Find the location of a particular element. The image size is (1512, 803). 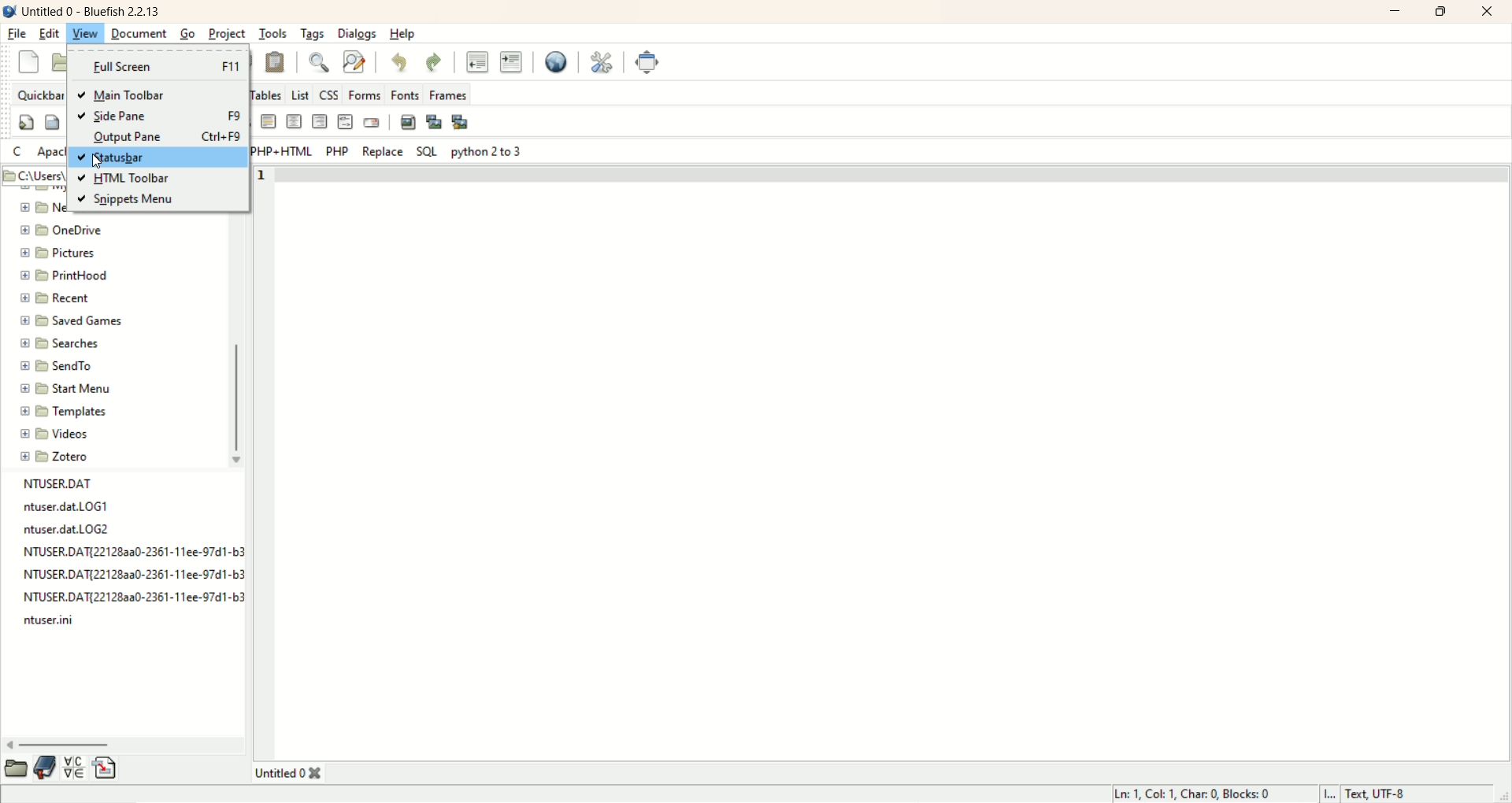

maximize is located at coordinates (1444, 12).